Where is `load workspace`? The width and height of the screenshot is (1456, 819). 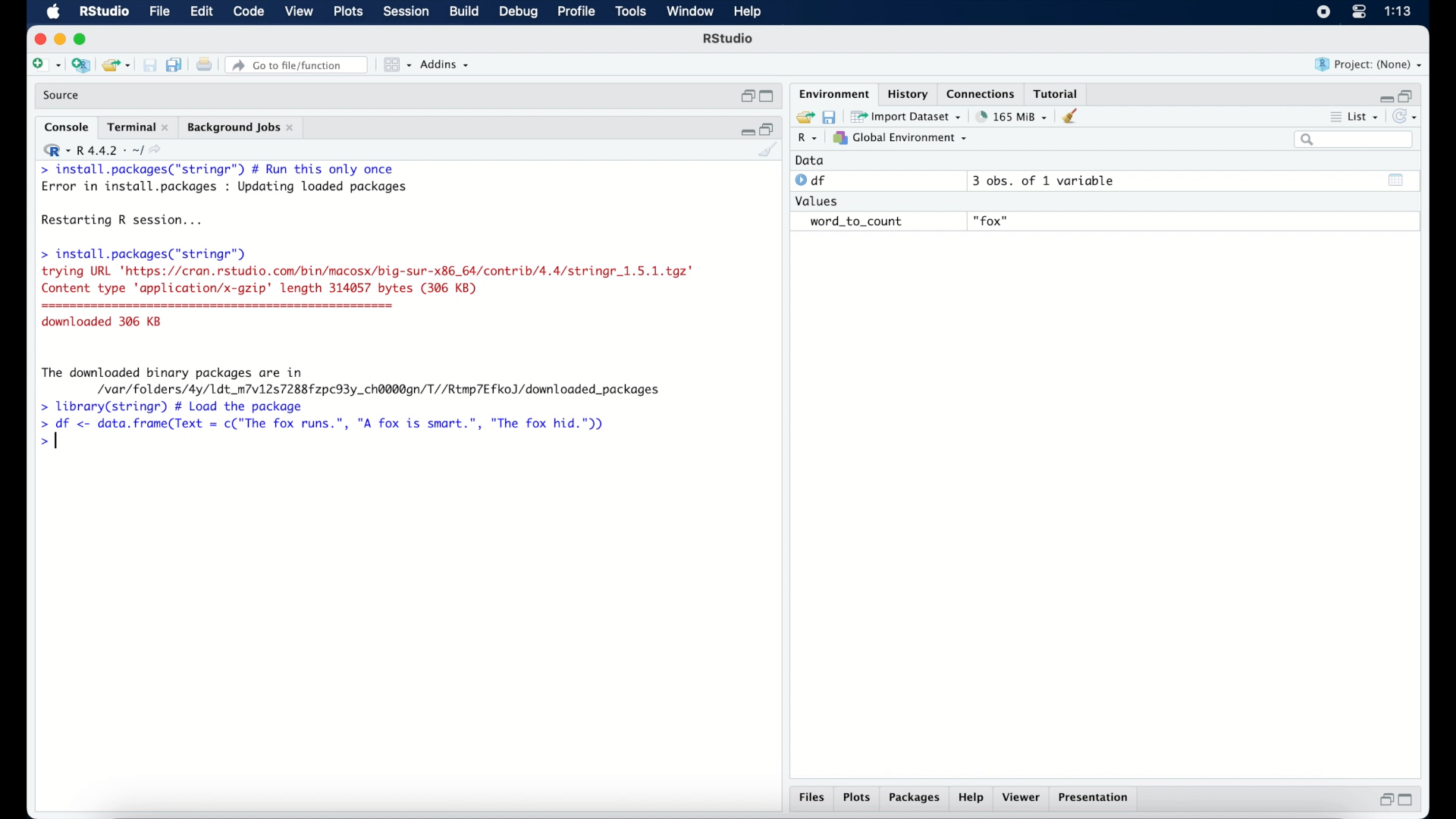
load workspace is located at coordinates (802, 118).